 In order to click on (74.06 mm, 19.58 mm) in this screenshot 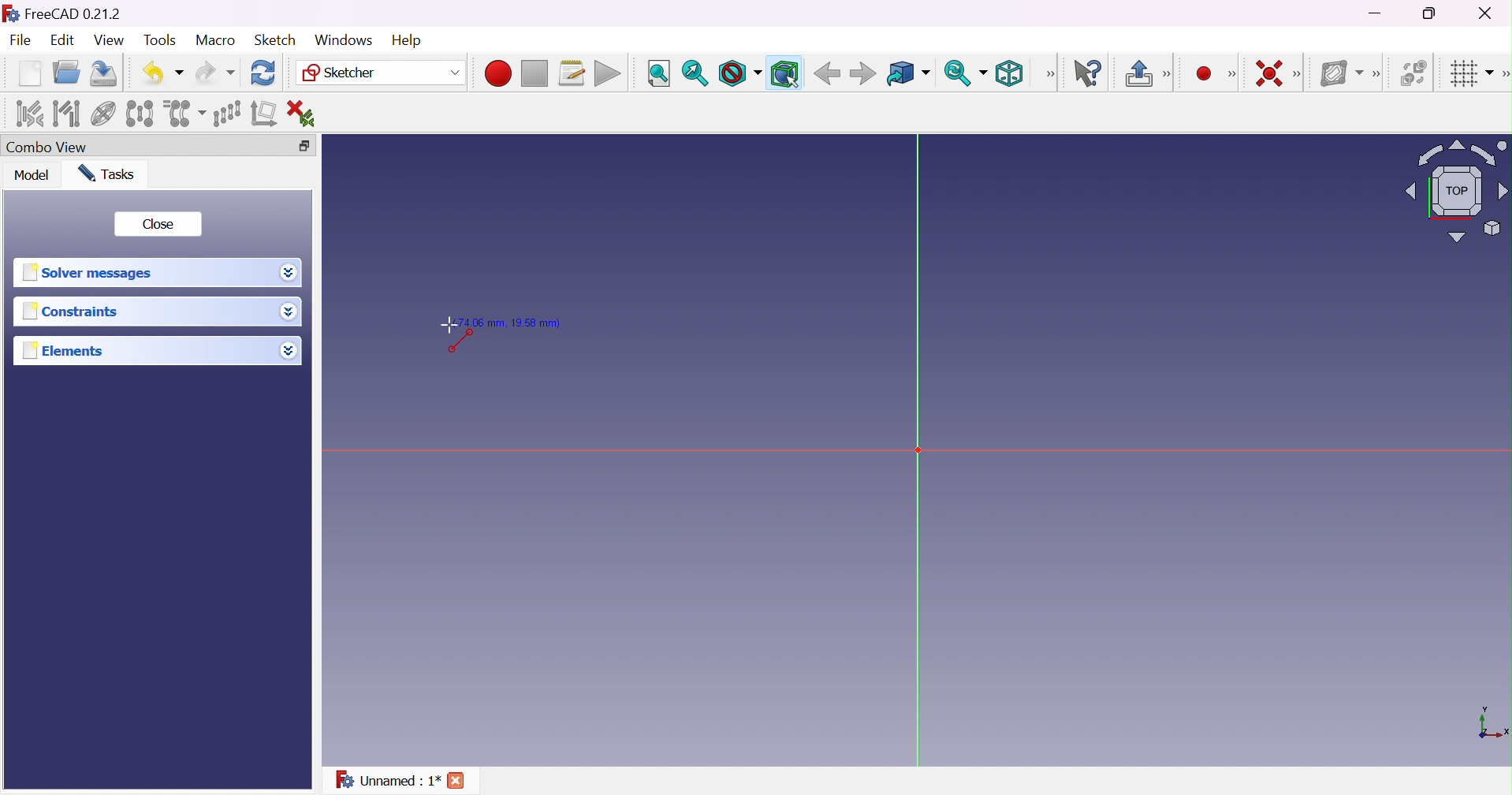, I will do `click(517, 323)`.